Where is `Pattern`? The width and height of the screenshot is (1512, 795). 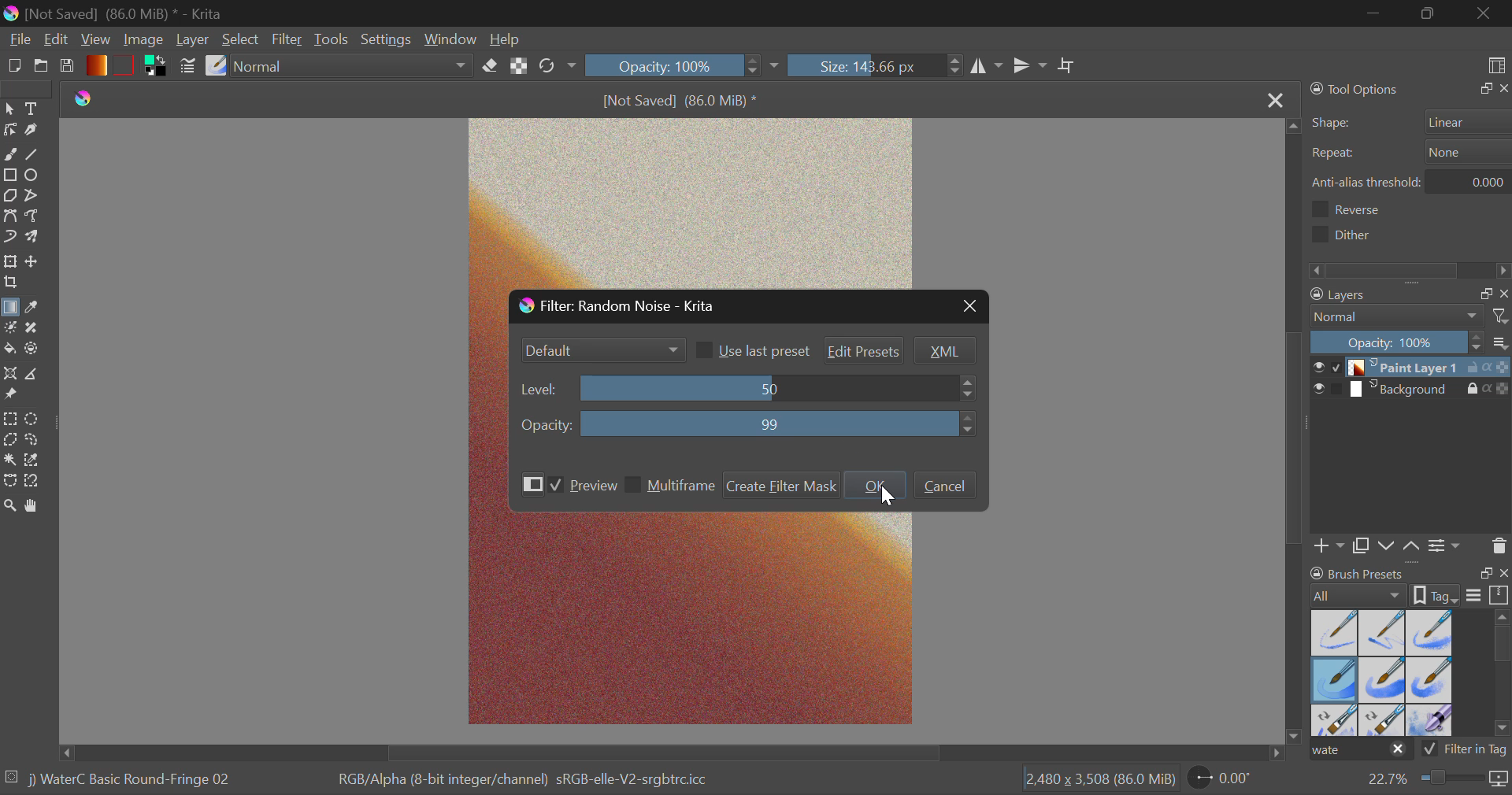
Pattern is located at coordinates (126, 64).